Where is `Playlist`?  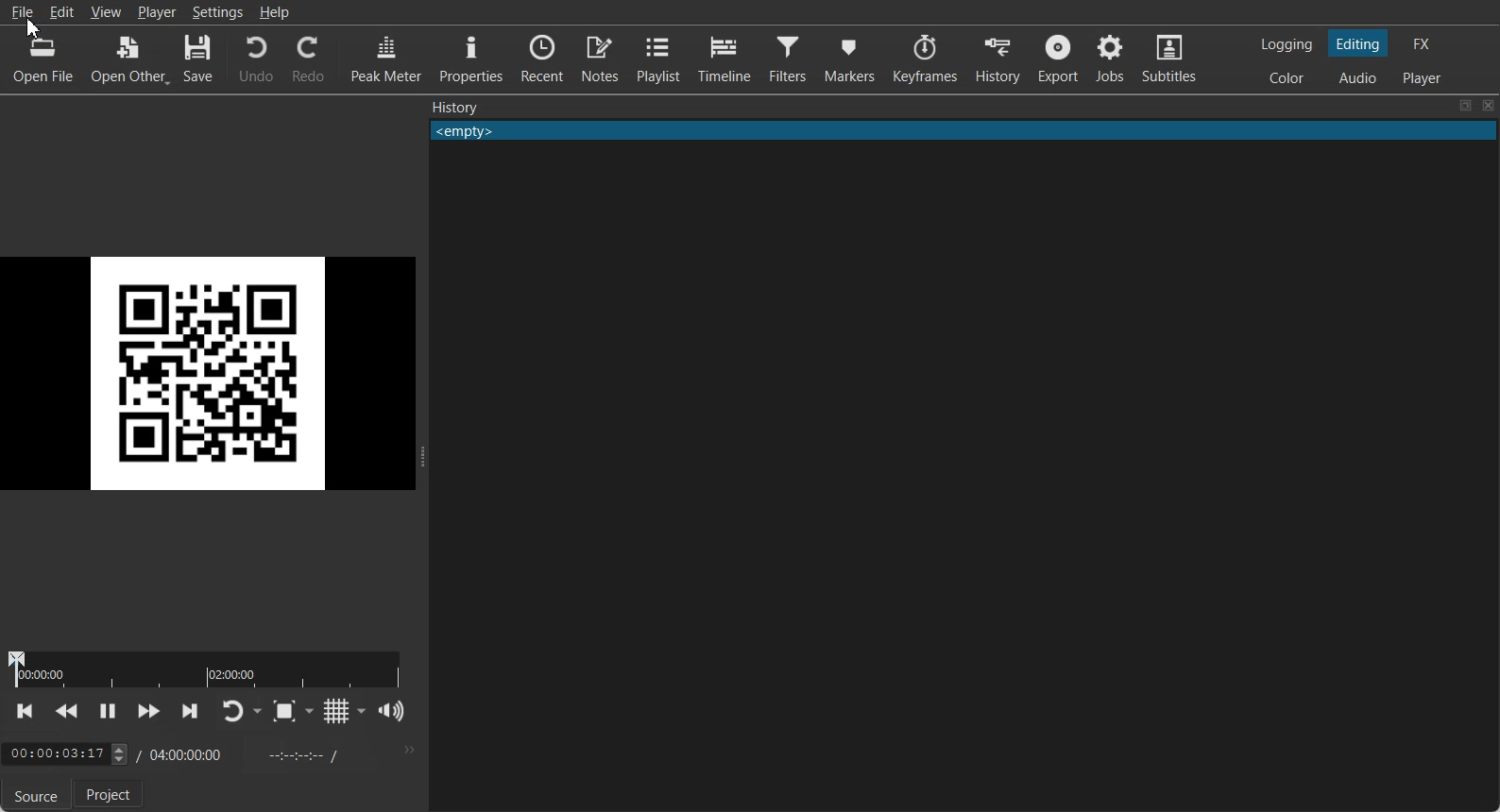 Playlist is located at coordinates (657, 58).